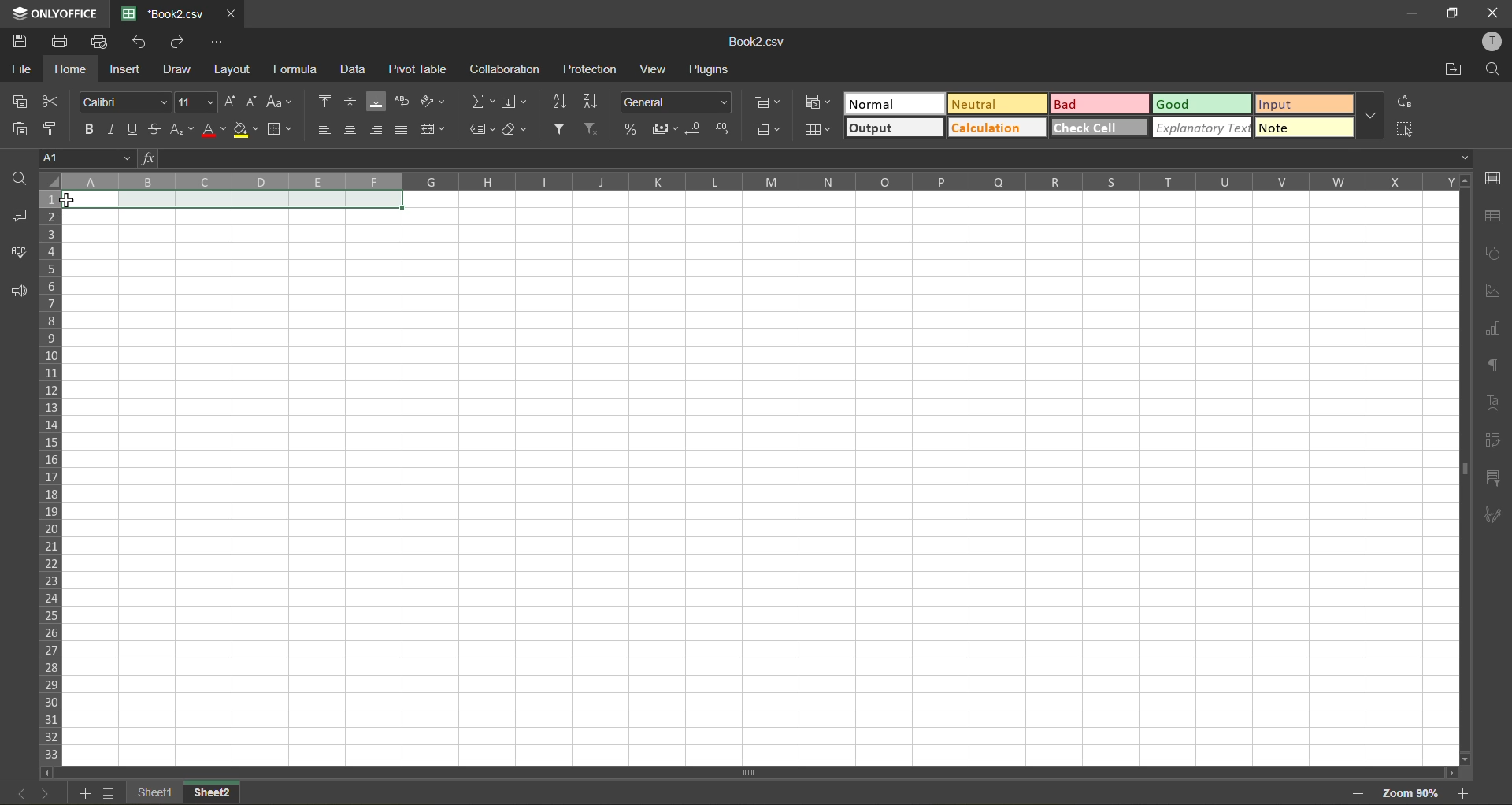 This screenshot has width=1512, height=805. What do you see at coordinates (1494, 291) in the screenshot?
I see `images` at bounding box center [1494, 291].